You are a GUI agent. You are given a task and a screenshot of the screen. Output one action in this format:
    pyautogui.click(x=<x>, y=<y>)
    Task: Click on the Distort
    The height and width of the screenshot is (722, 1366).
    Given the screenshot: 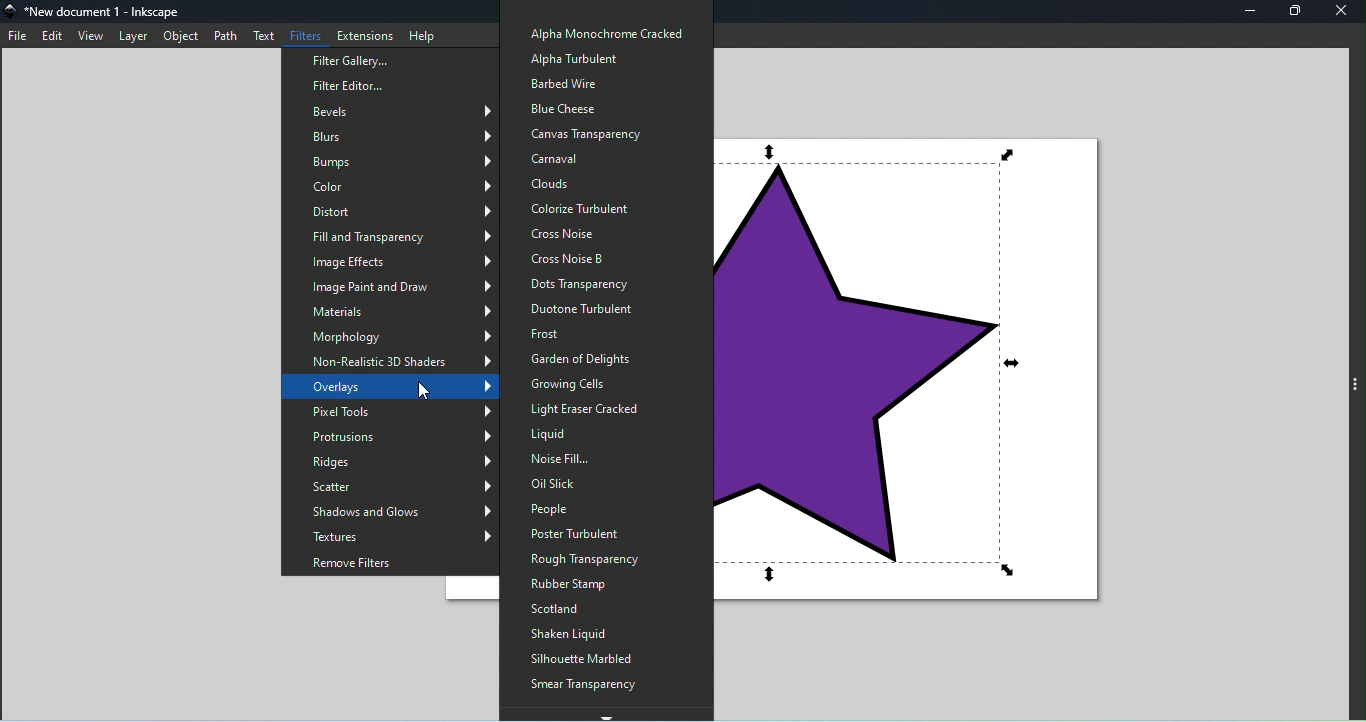 What is the action you would take?
    pyautogui.click(x=386, y=210)
    